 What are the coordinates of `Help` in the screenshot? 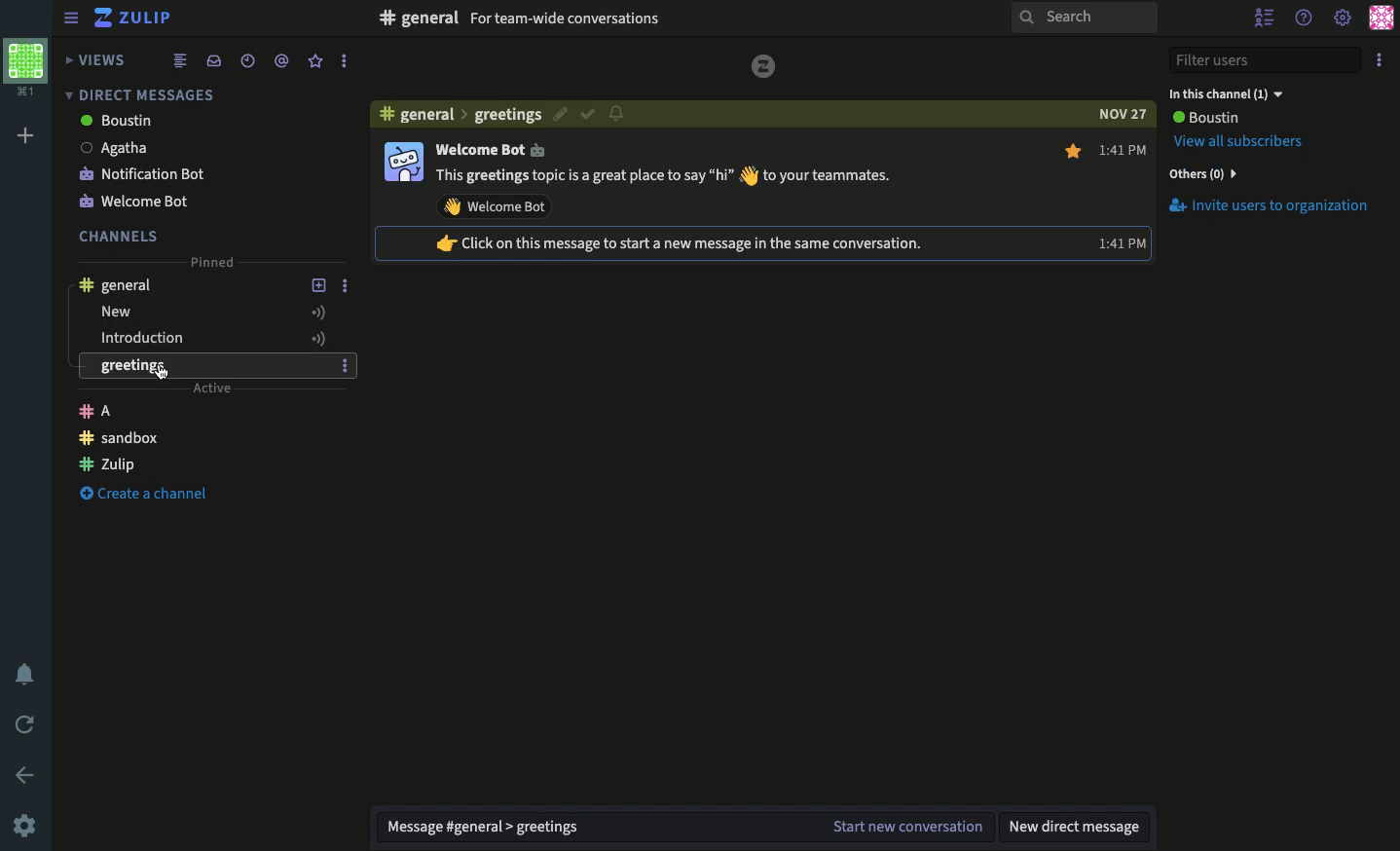 It's located at (1305, 15).